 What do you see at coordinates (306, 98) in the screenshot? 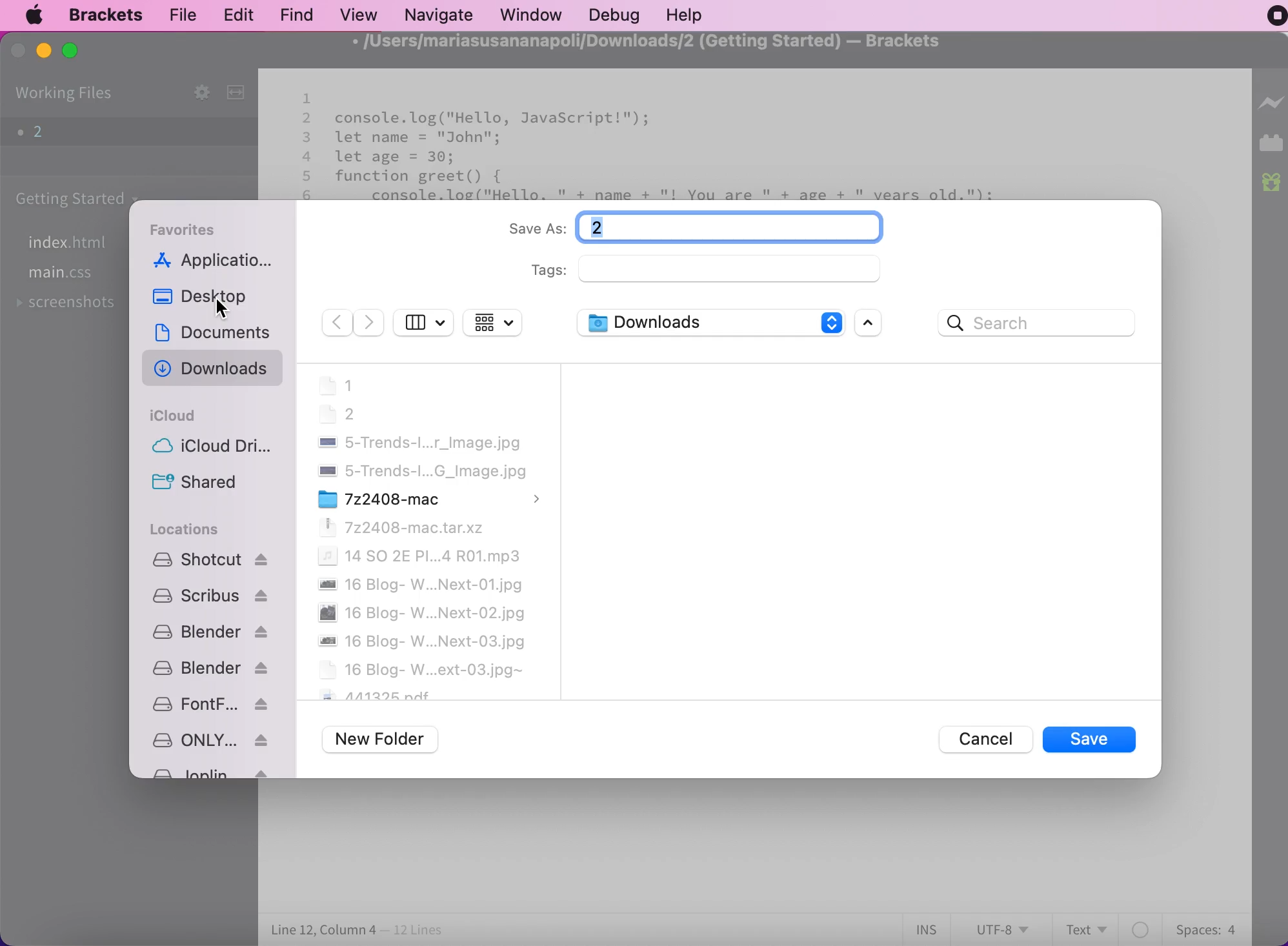
I see `1` at bounding box center [306, 98].